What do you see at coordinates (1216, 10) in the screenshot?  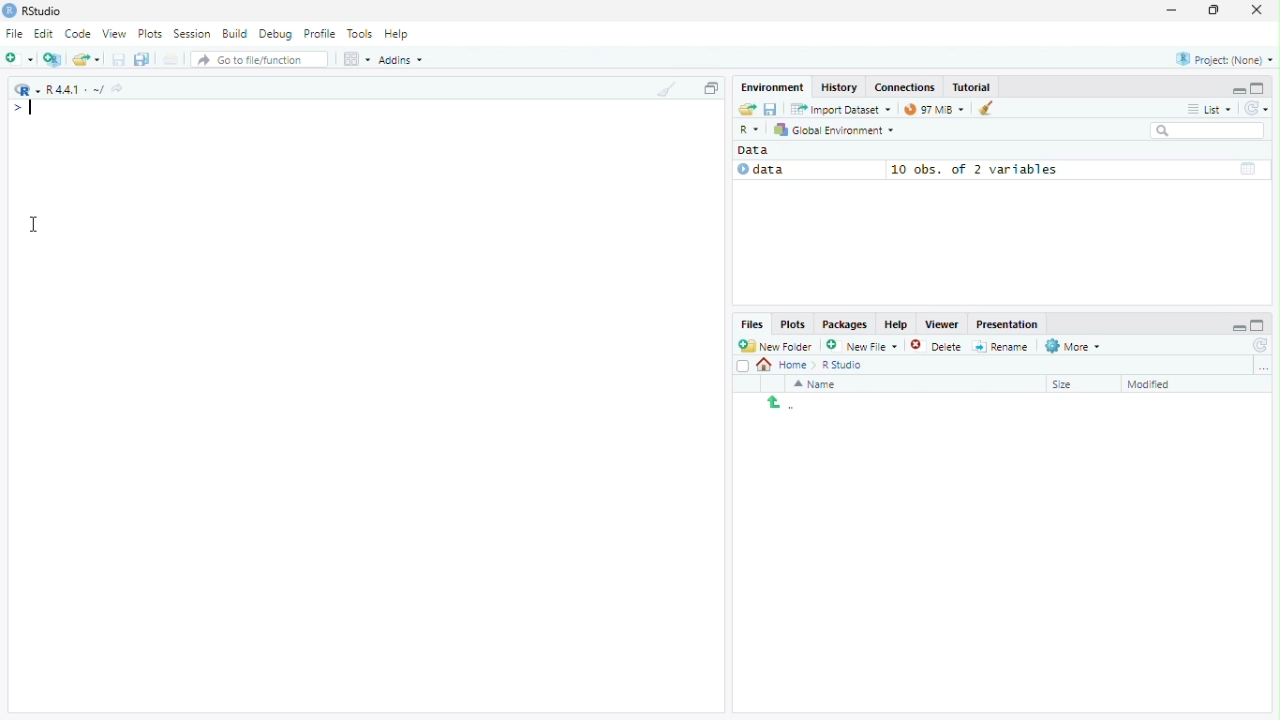 I see `Maximize` at bounding box center [1216, 10].